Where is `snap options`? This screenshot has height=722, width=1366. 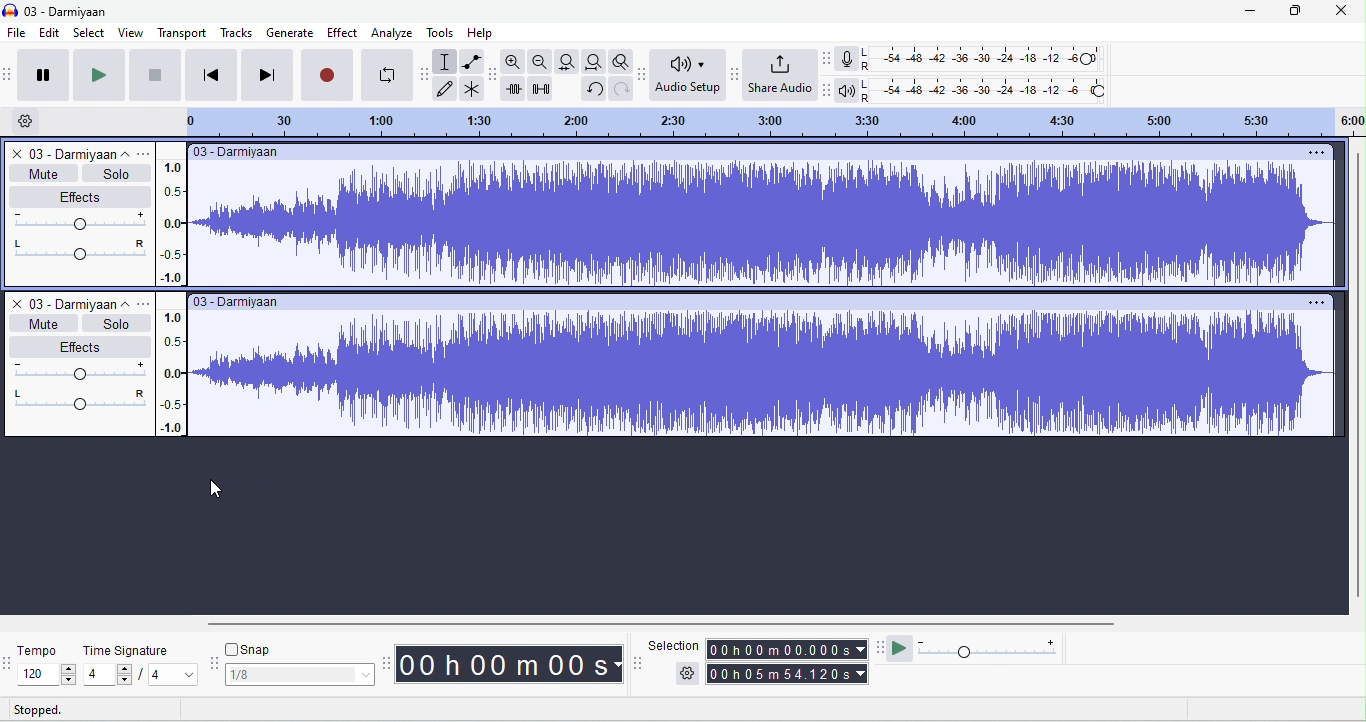 snap options is located at coordinates (213, 661).